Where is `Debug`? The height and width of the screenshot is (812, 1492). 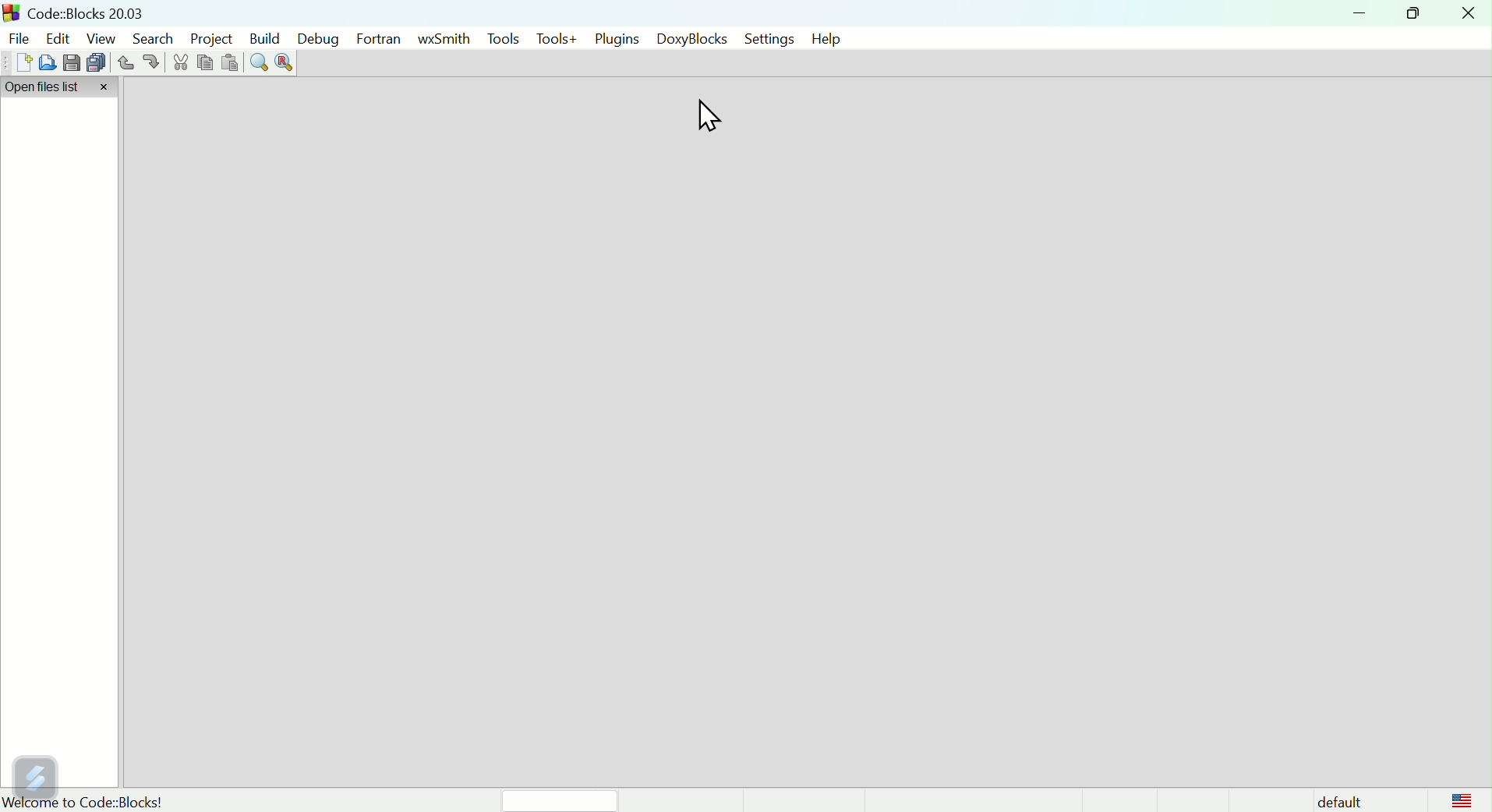
Debug is located at coordinates (317, 37).